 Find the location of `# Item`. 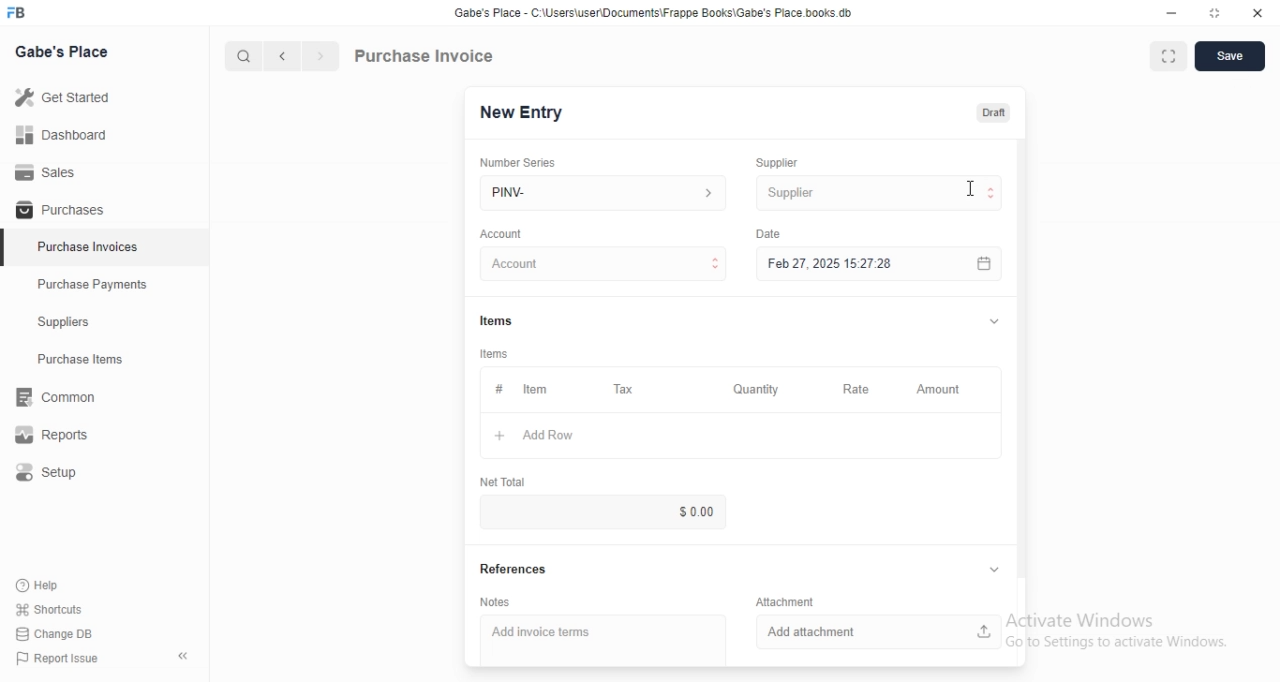

# Item is located at coordinates (536, 390).